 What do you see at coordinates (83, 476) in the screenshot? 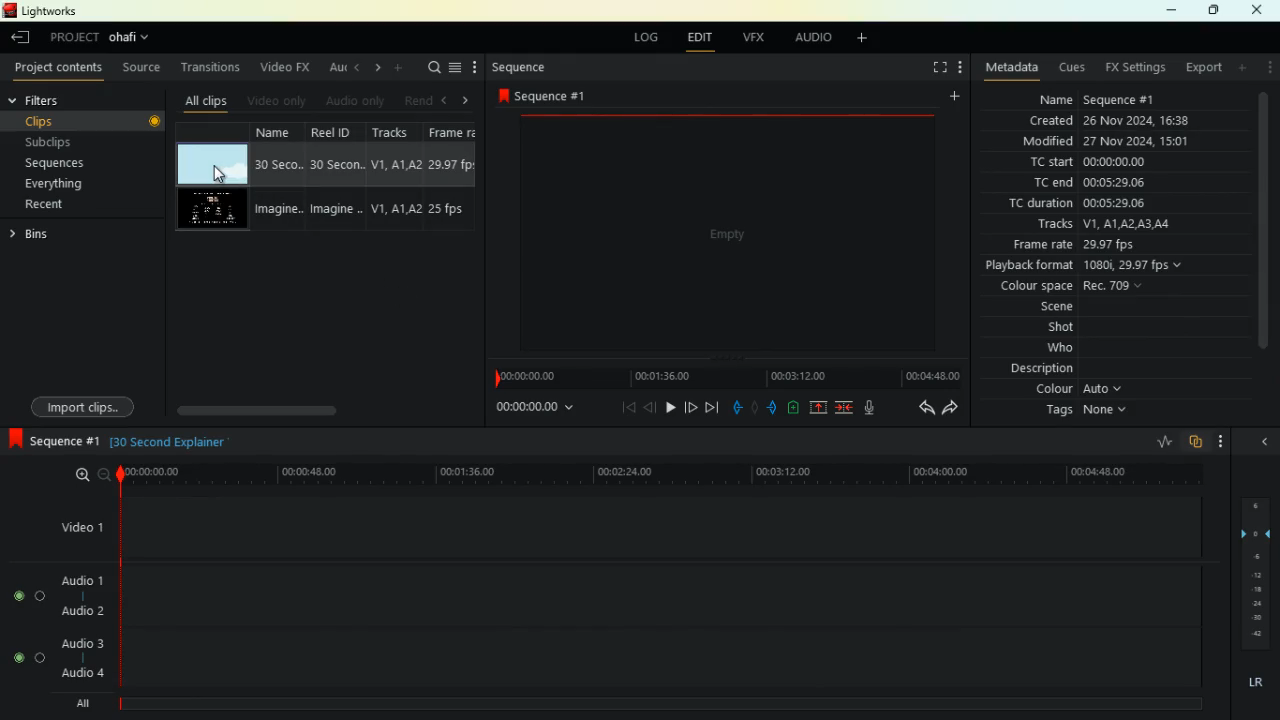
I see `zoom` at bounding box center [83, 476].